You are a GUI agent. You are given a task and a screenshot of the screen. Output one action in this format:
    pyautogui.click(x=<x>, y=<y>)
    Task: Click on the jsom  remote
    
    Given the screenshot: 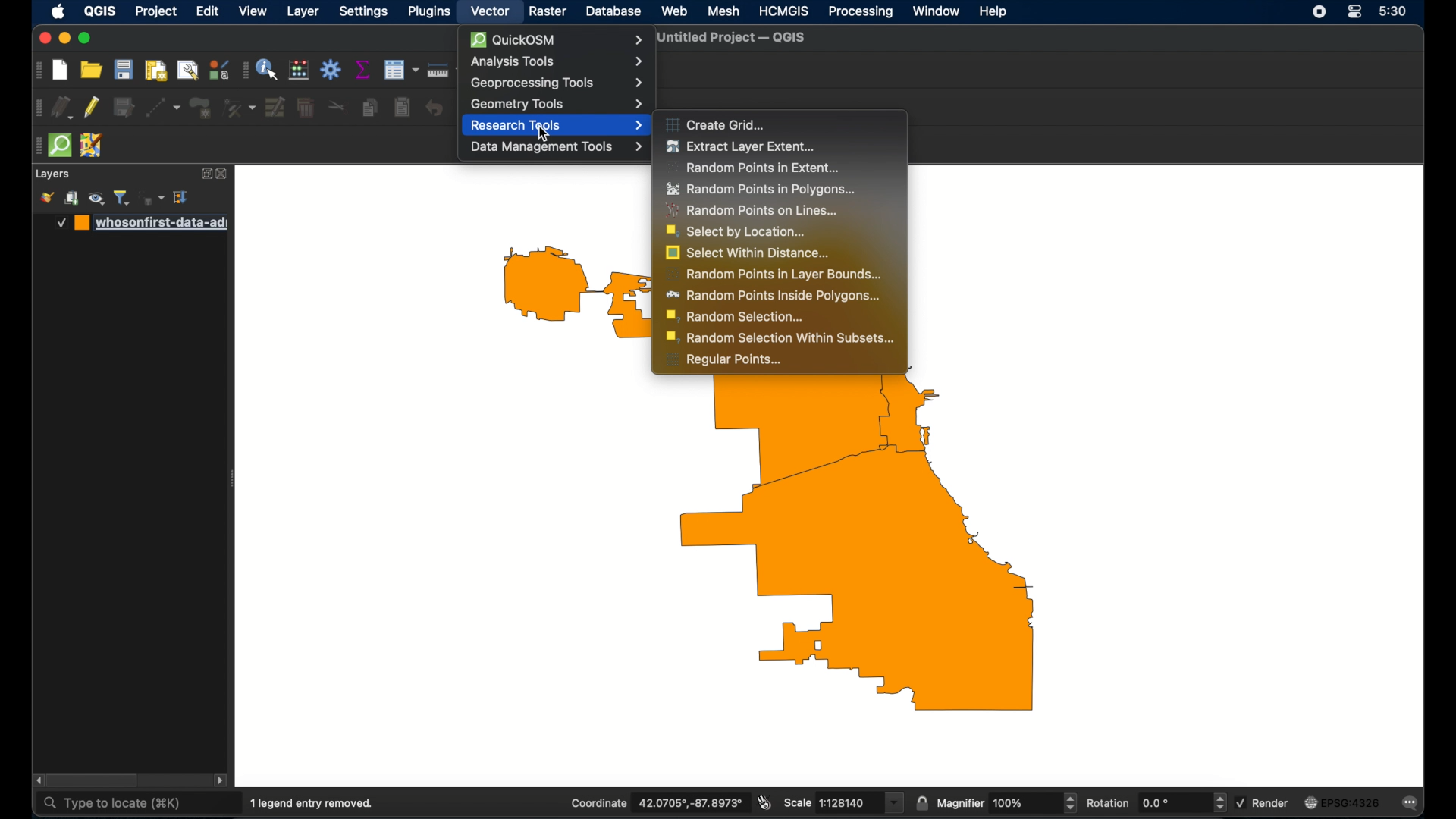 What is the action you would take?
    pyautogui.click(x=92, y=146)
    